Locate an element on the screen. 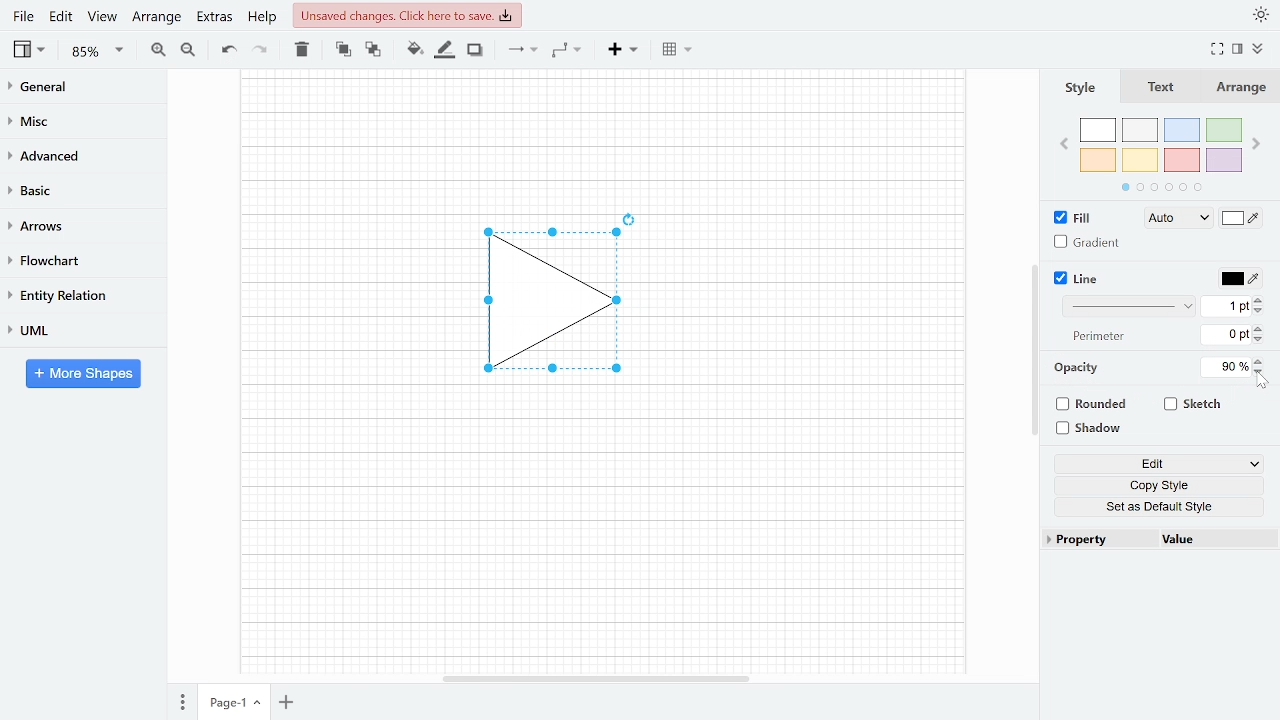 The image size is (1280, 720). Collapse is located at coordinates (1265, 51).